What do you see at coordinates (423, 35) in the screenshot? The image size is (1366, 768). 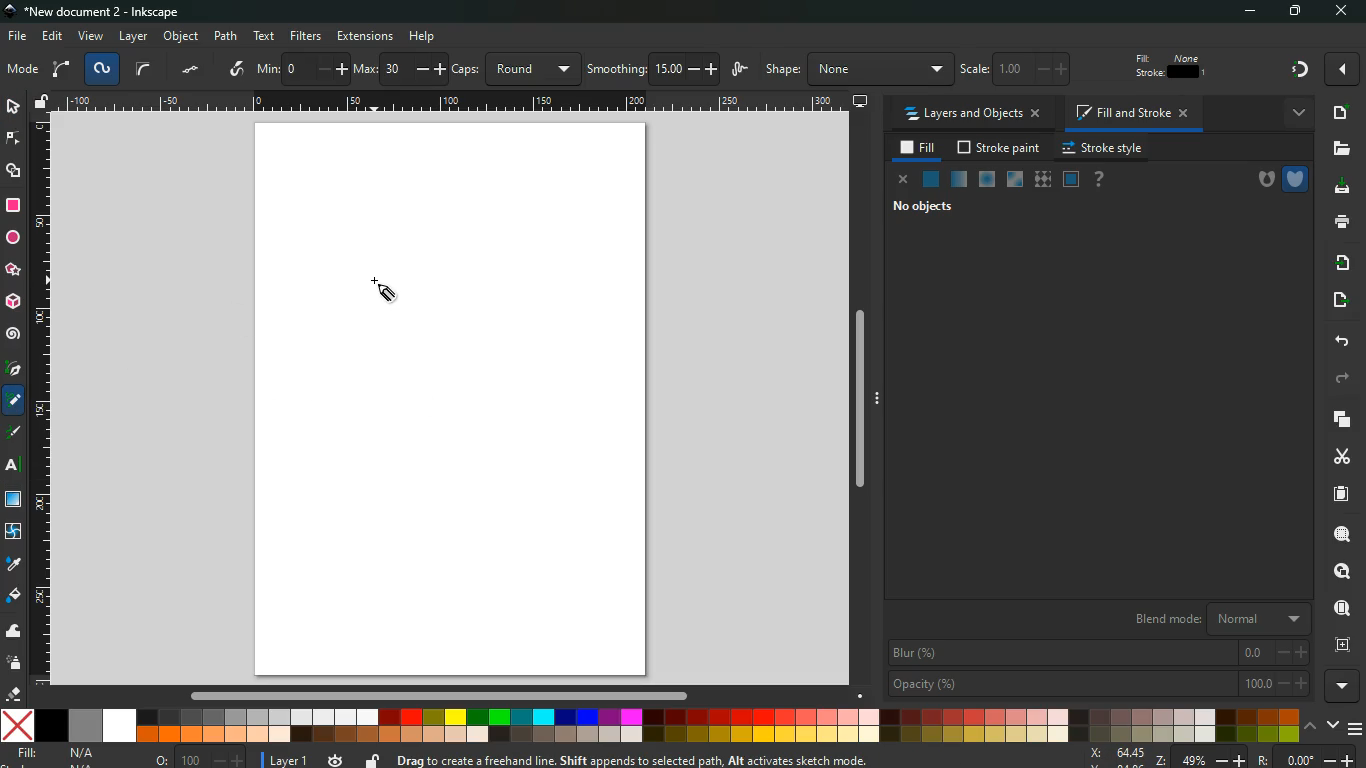 I see `` at bounding box center [423, 35].